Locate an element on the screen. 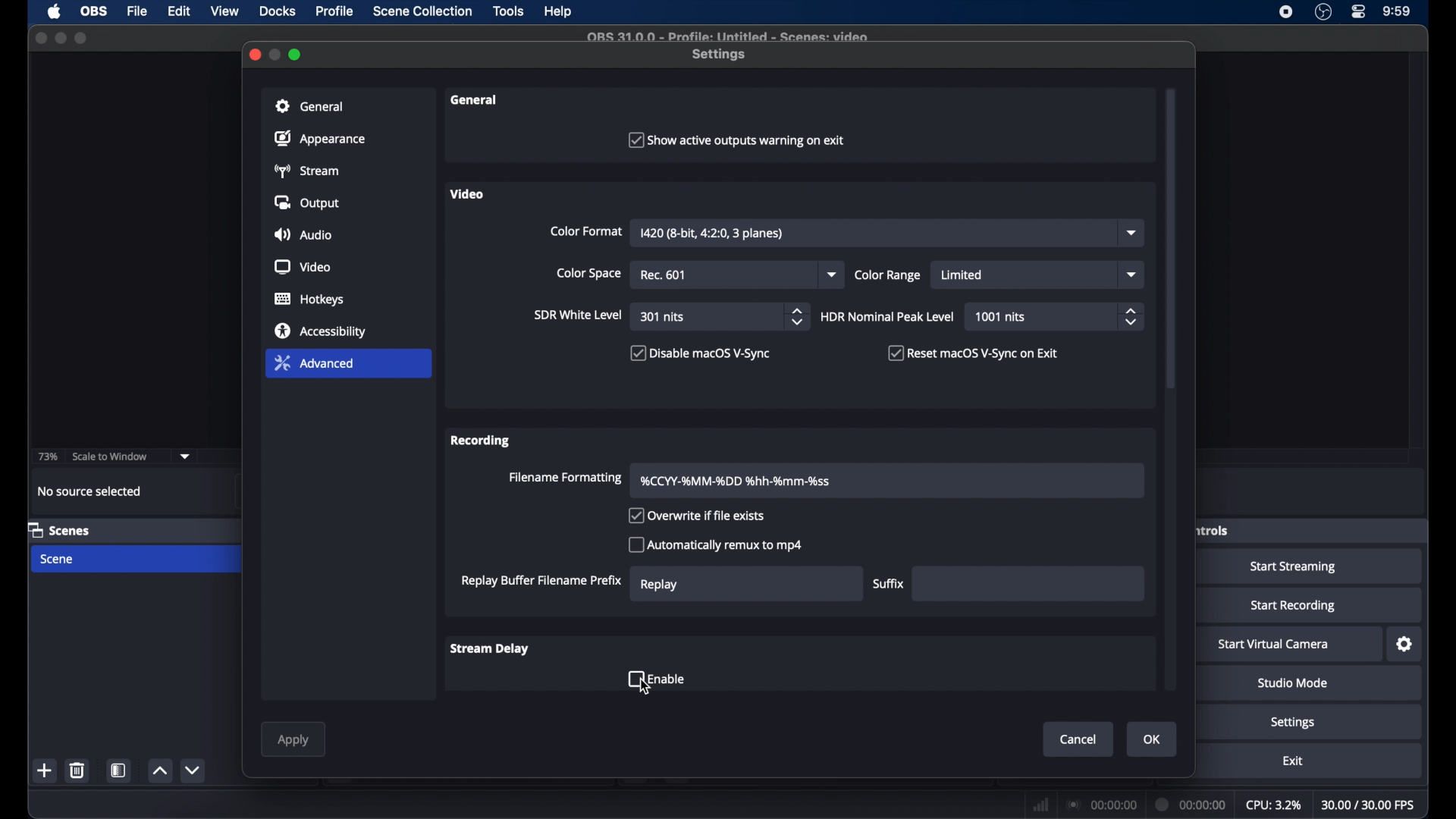 Image resolution: width=1456 pixels, height=819 pixels. scene is located at coordinates (58, 559).